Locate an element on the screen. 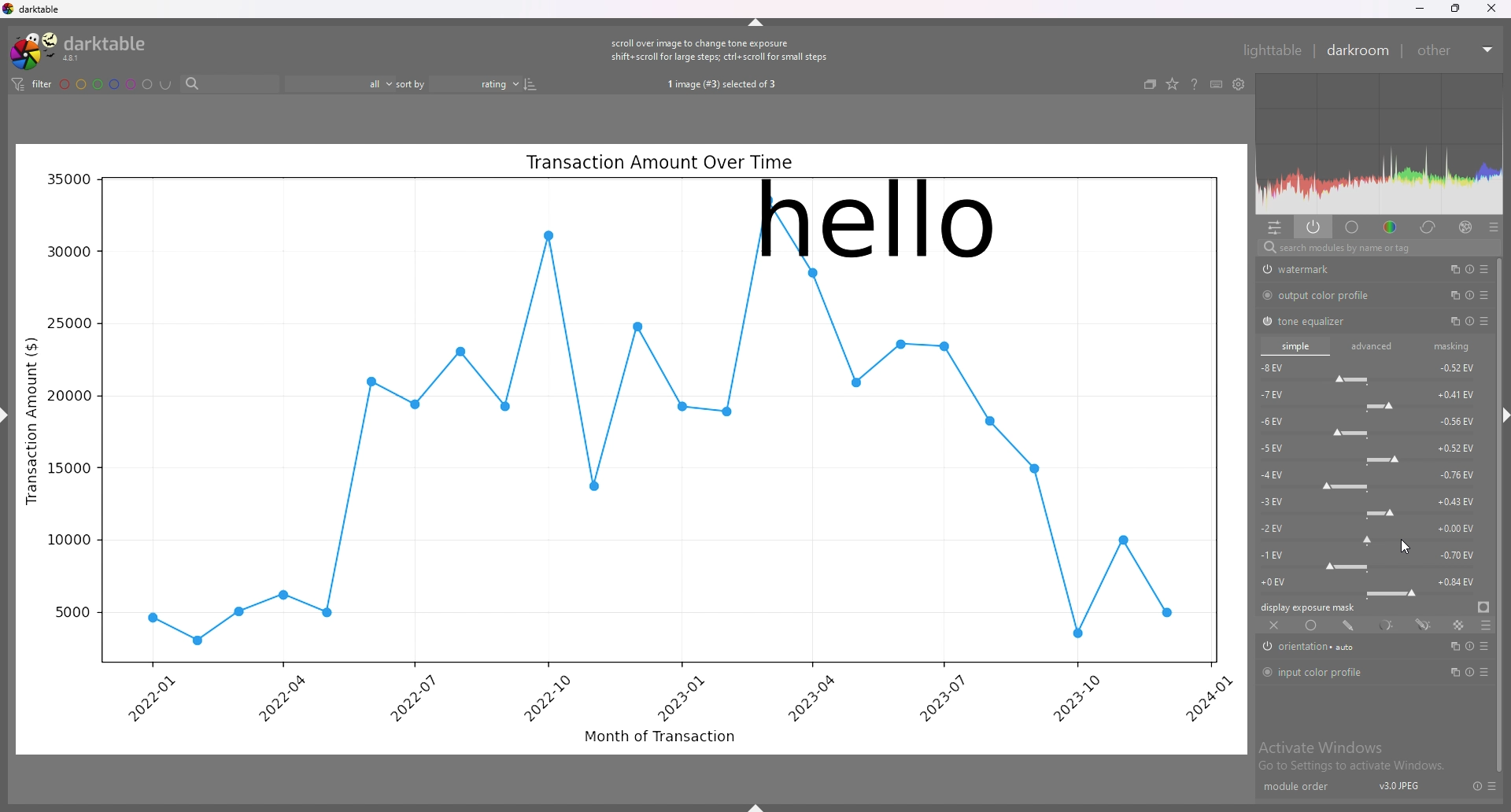 Image resolution: width=1511 pixels, height=812 pixels. Transaction Amount ($) is located at coordinates (32, 419).